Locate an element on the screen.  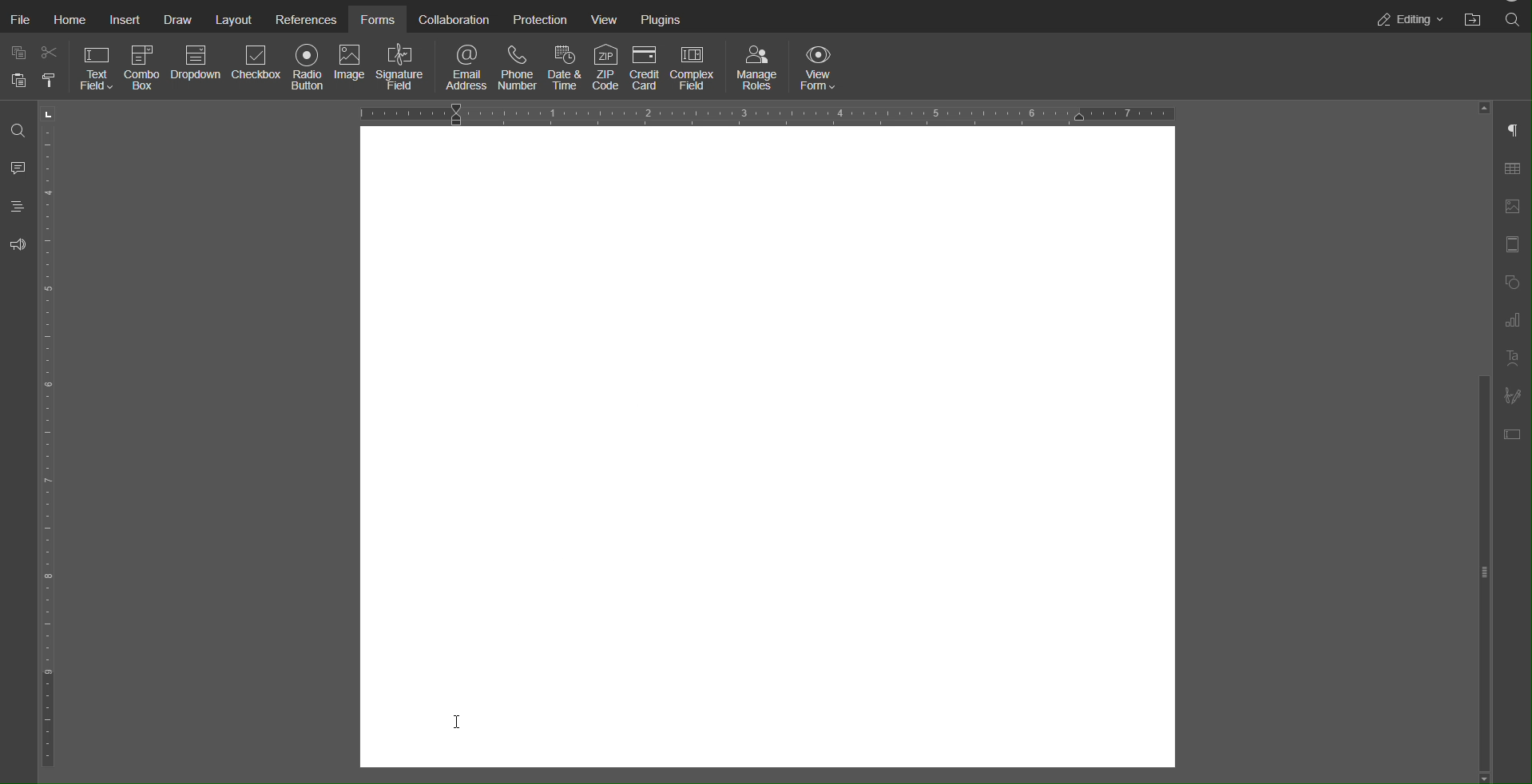
Search is located at coordinates (1514, 20).